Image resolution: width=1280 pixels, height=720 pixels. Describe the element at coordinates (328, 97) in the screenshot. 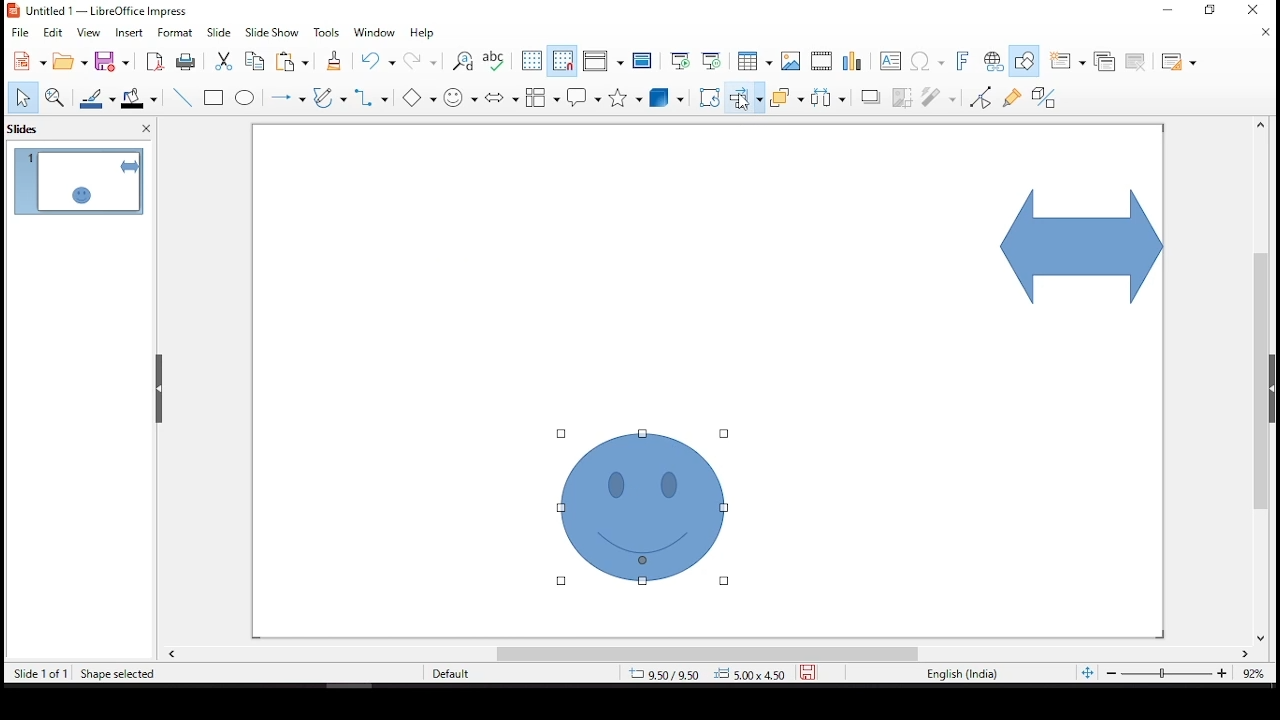

I see `curves and polygons` at that location.